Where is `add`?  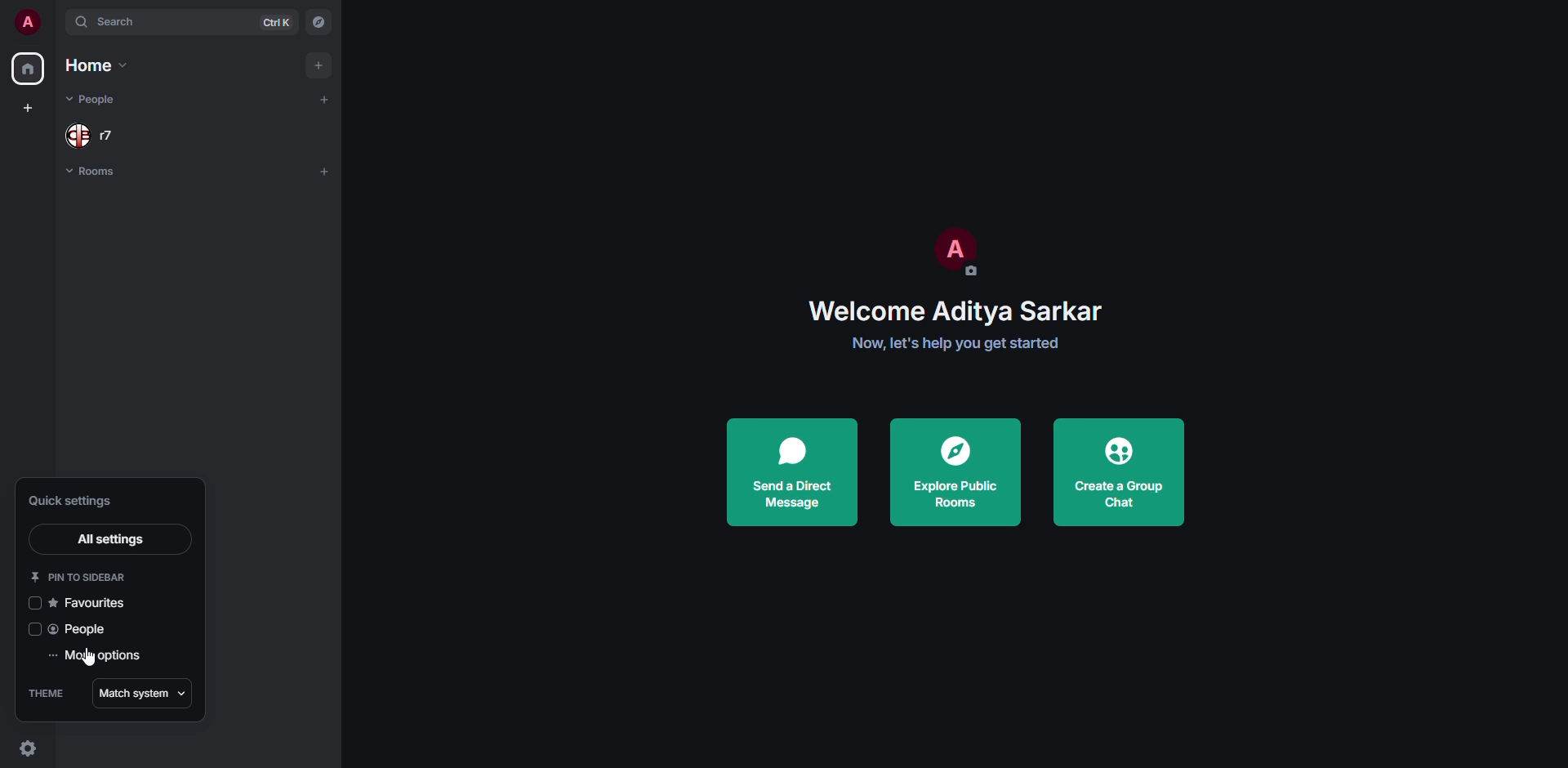 add is located at coordinates (329, 169).